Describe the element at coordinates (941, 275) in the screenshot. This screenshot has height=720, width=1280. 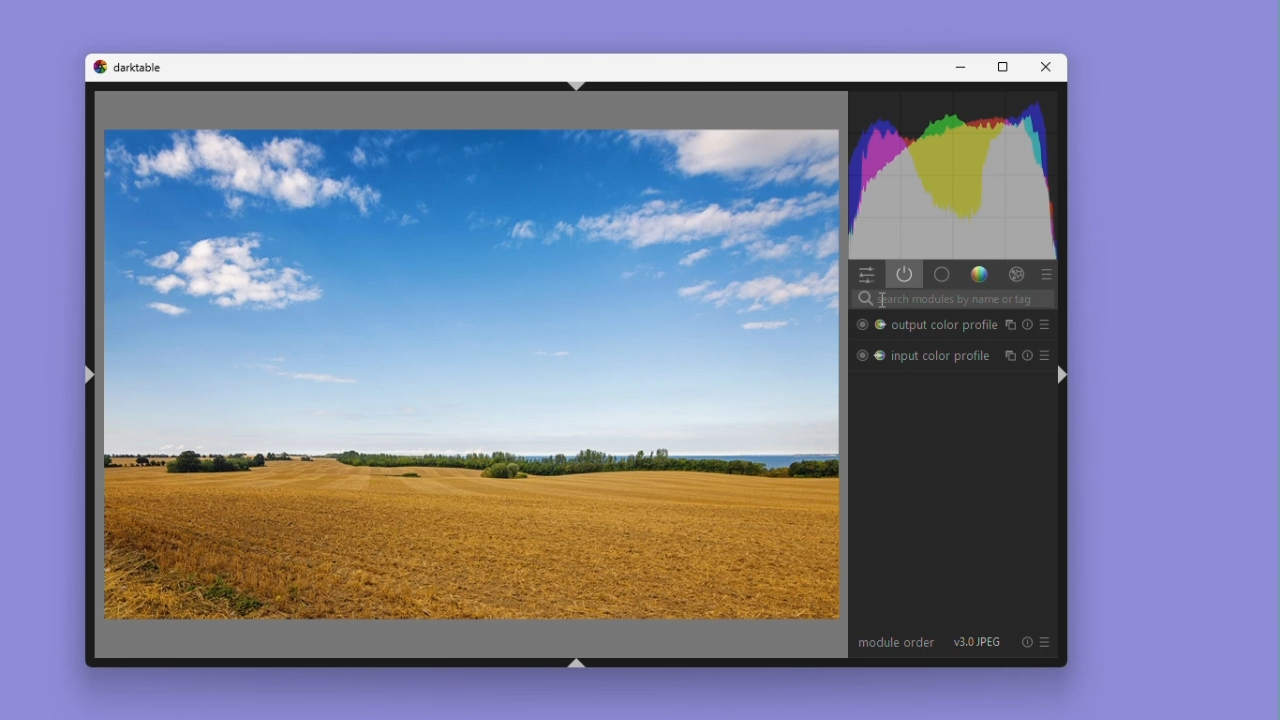
I see `base` at that location.